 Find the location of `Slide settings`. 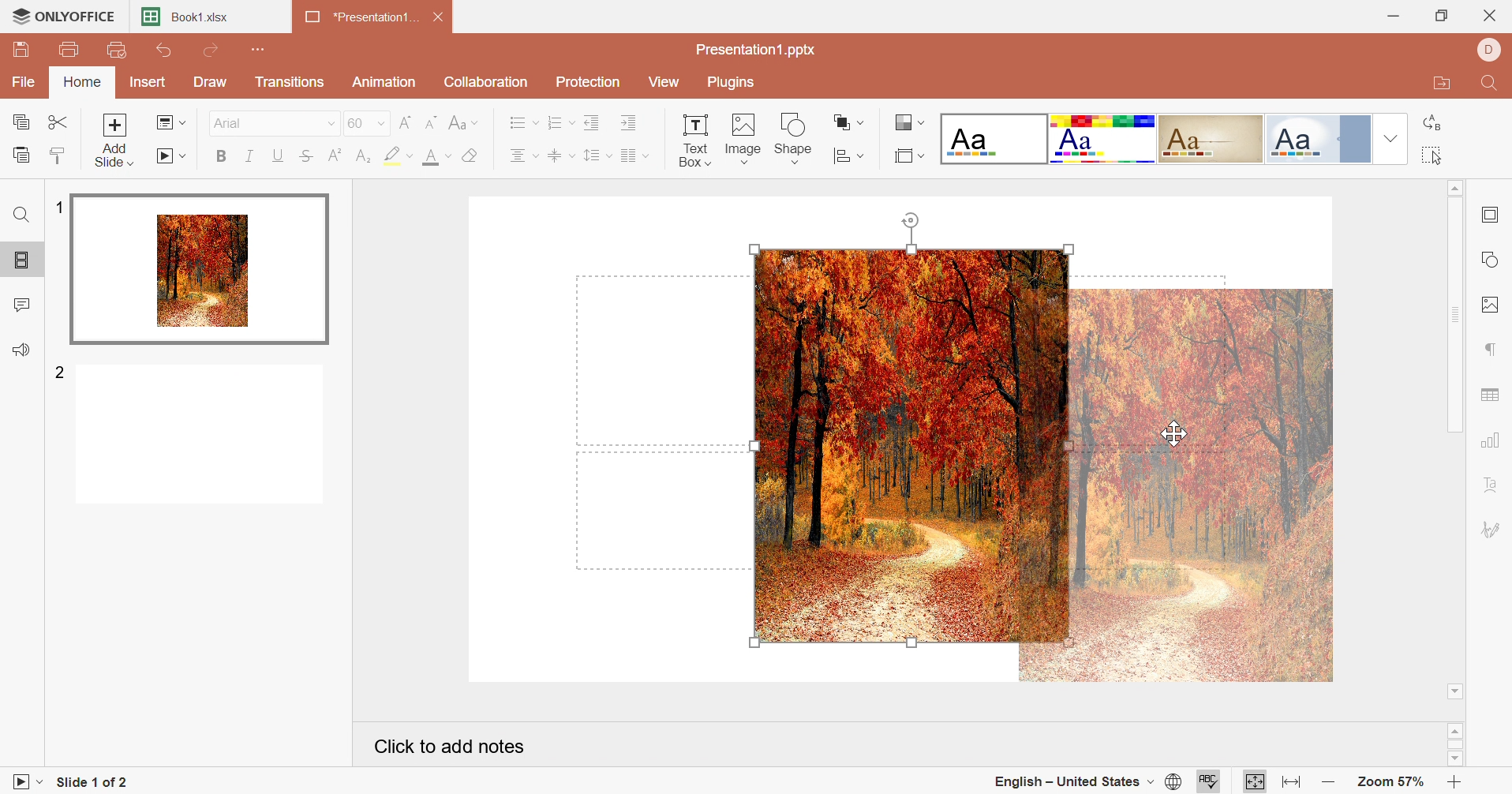

Slide settings is located at coordinates (1489, 214).